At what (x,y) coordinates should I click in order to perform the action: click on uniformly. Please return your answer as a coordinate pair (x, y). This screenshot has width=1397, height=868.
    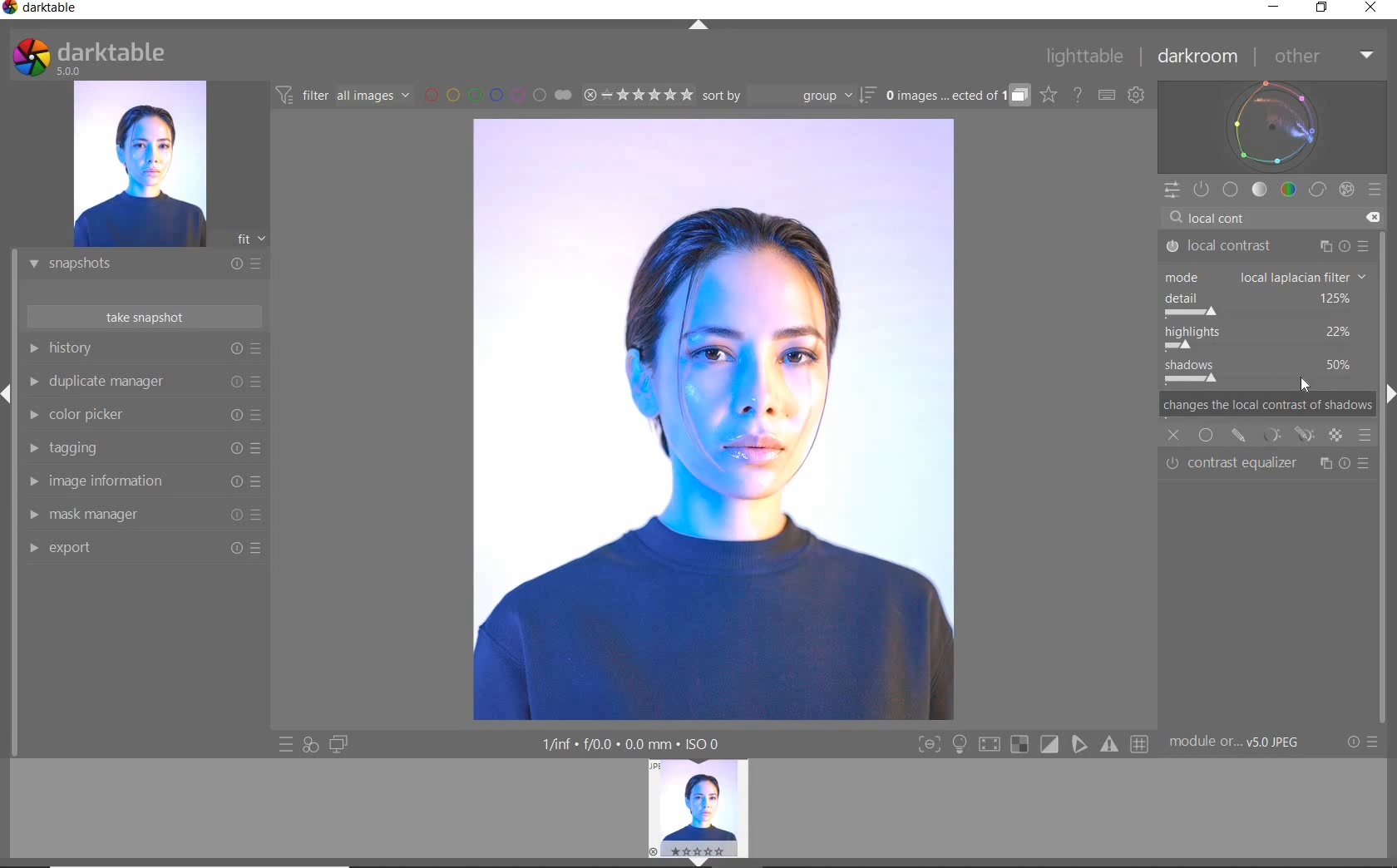
    Looking at the image, I should click on (1206, 435).